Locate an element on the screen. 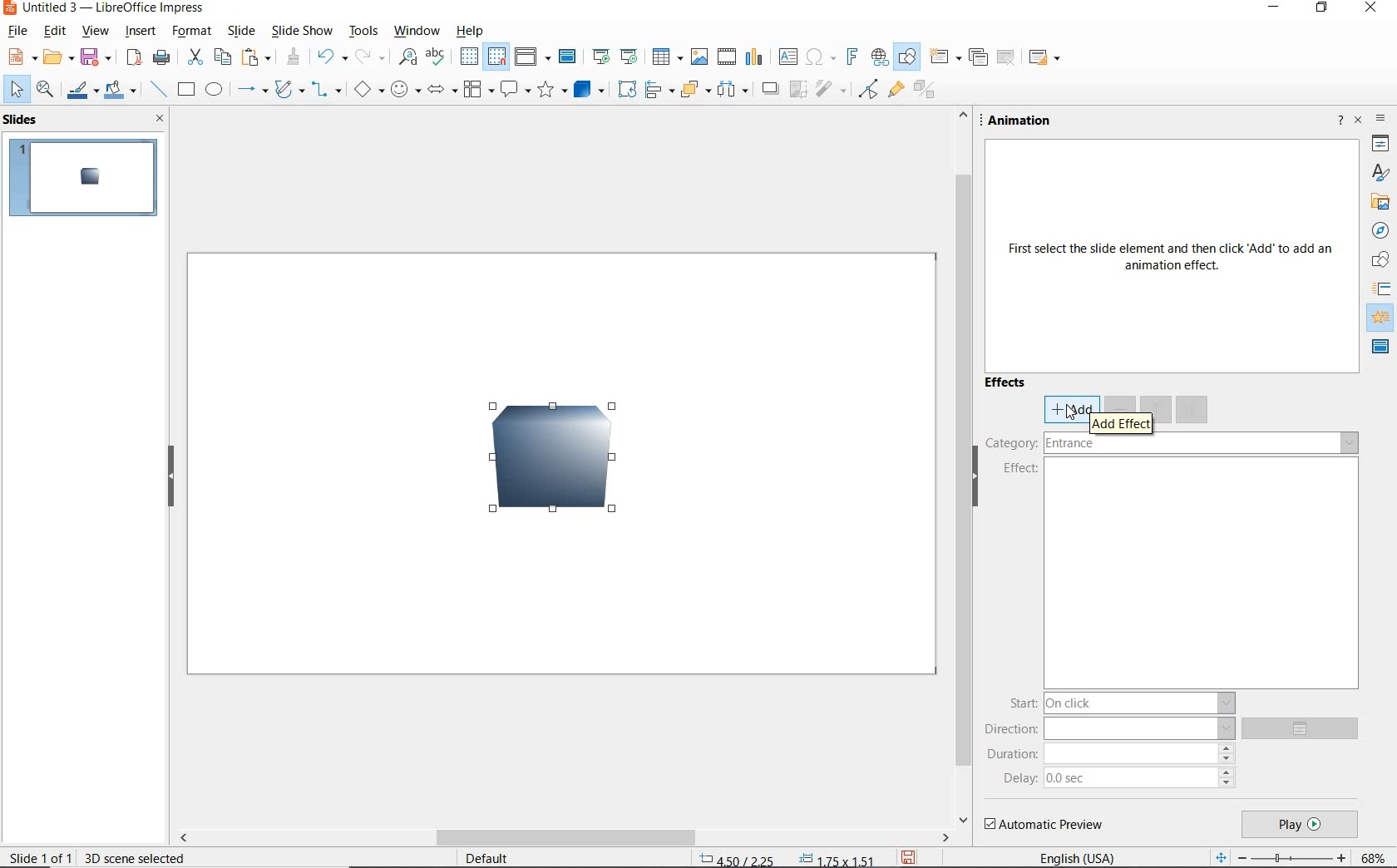  duration is located at coordinates (1111, 753).